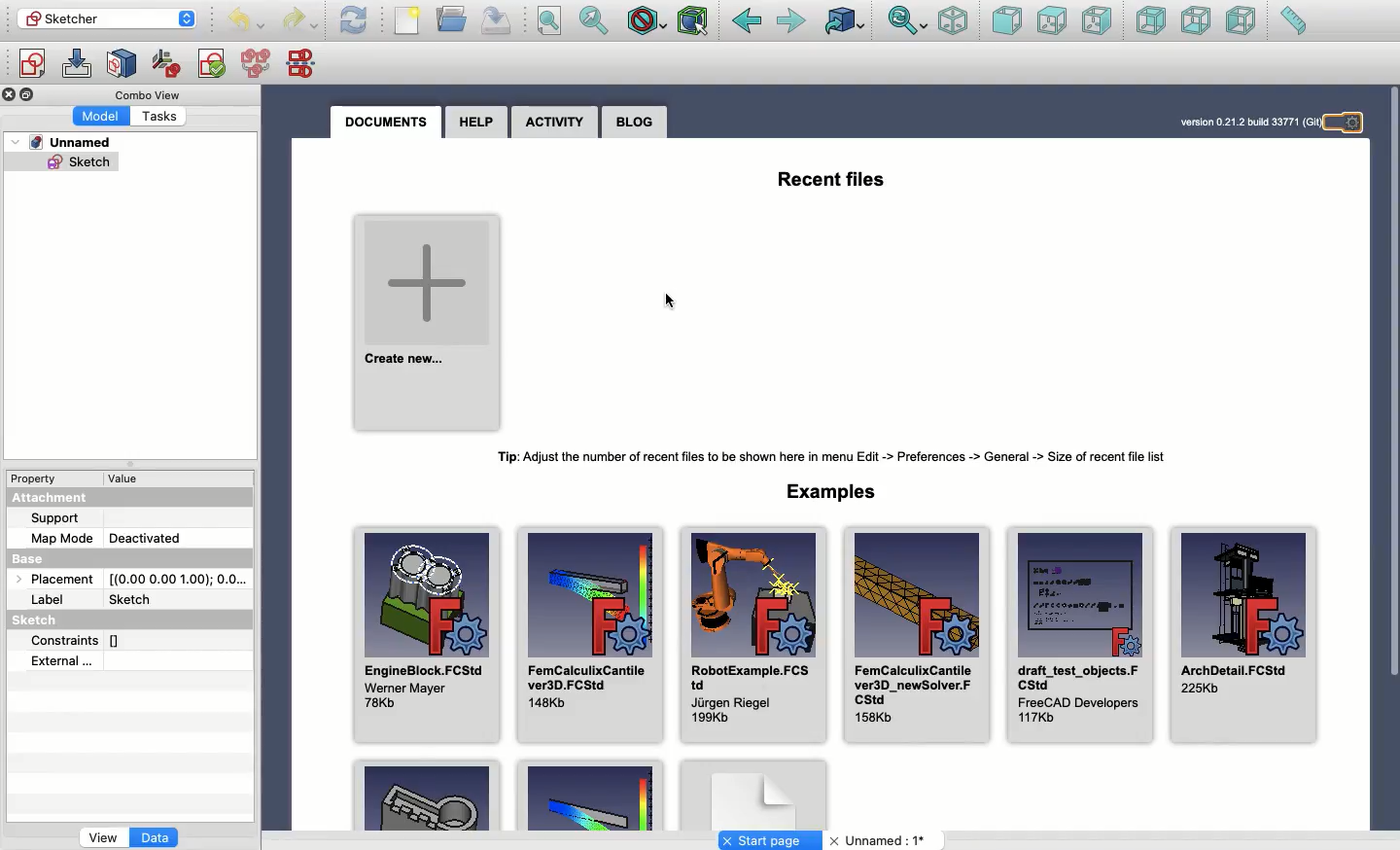 This screenshot has height=850, width=1400. What do you see at coordinates (1197, 21) in the screenshot?
I see `Bottom` at bounding box center [1197, 21].